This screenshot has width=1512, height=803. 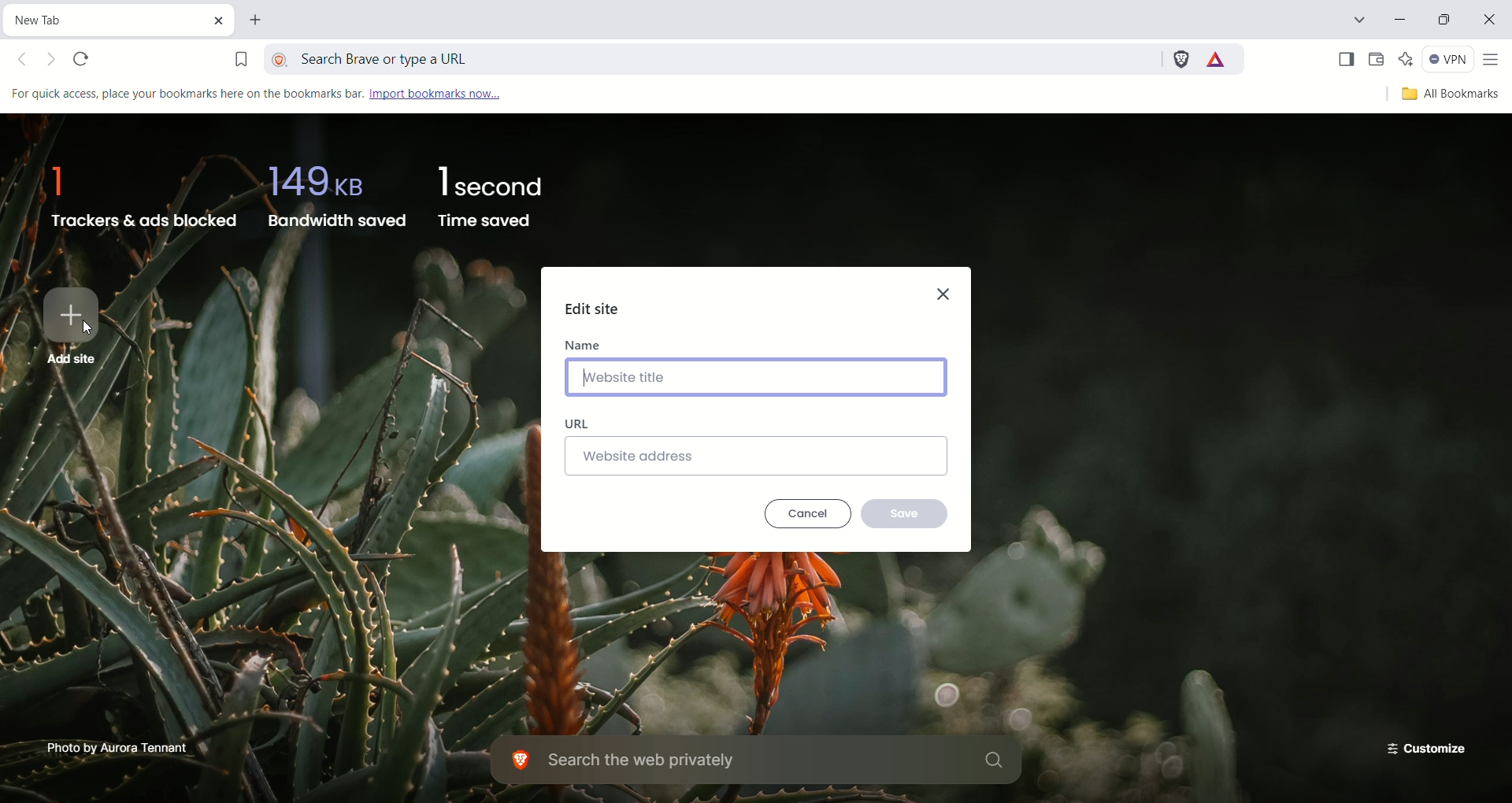 I want to click on cancel, so click(x=810, y=514).